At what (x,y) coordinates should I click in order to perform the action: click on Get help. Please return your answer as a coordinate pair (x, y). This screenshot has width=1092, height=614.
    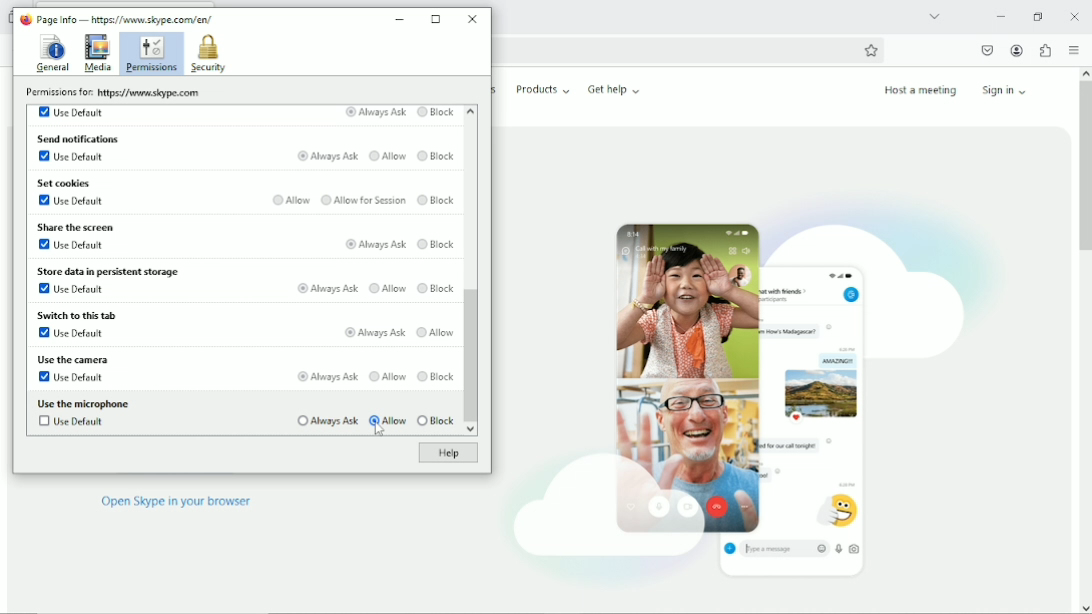
    Looking at the image, I should click on (614, 89).